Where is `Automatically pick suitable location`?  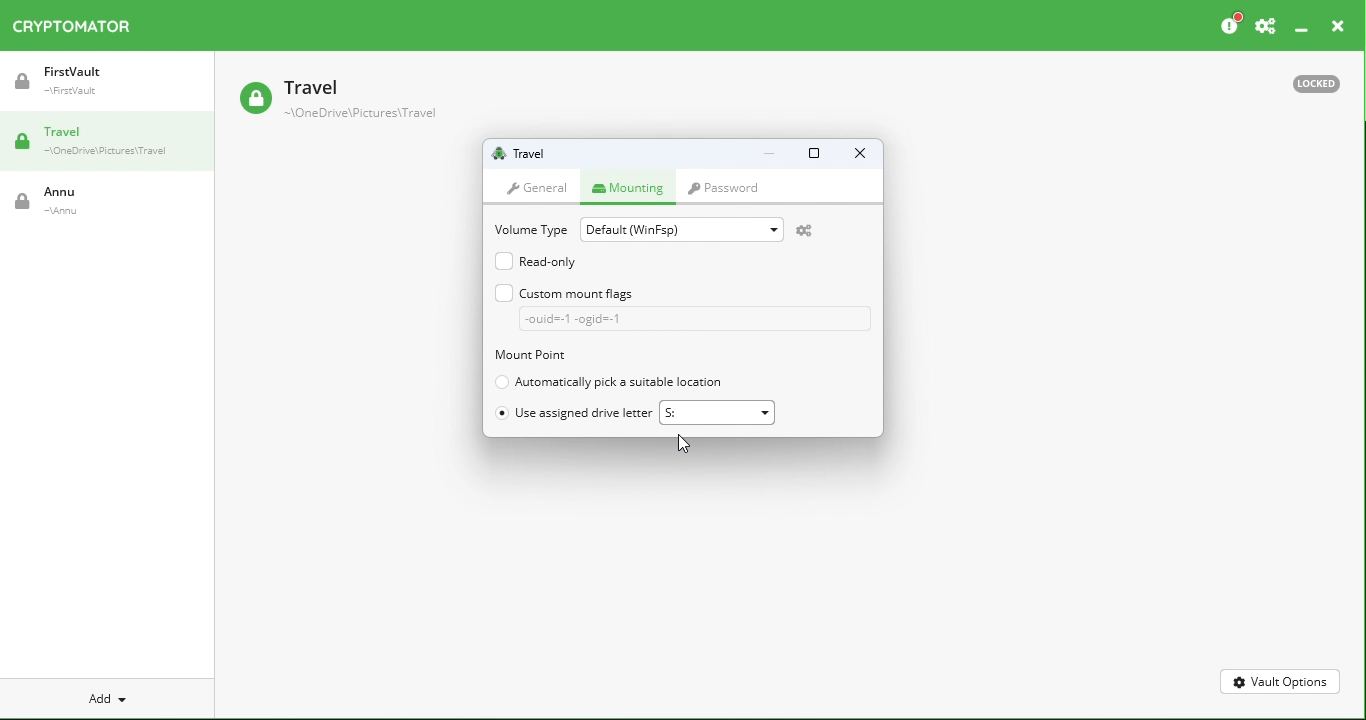 Automatically pick suitable location is located at coordinates (611, 383).